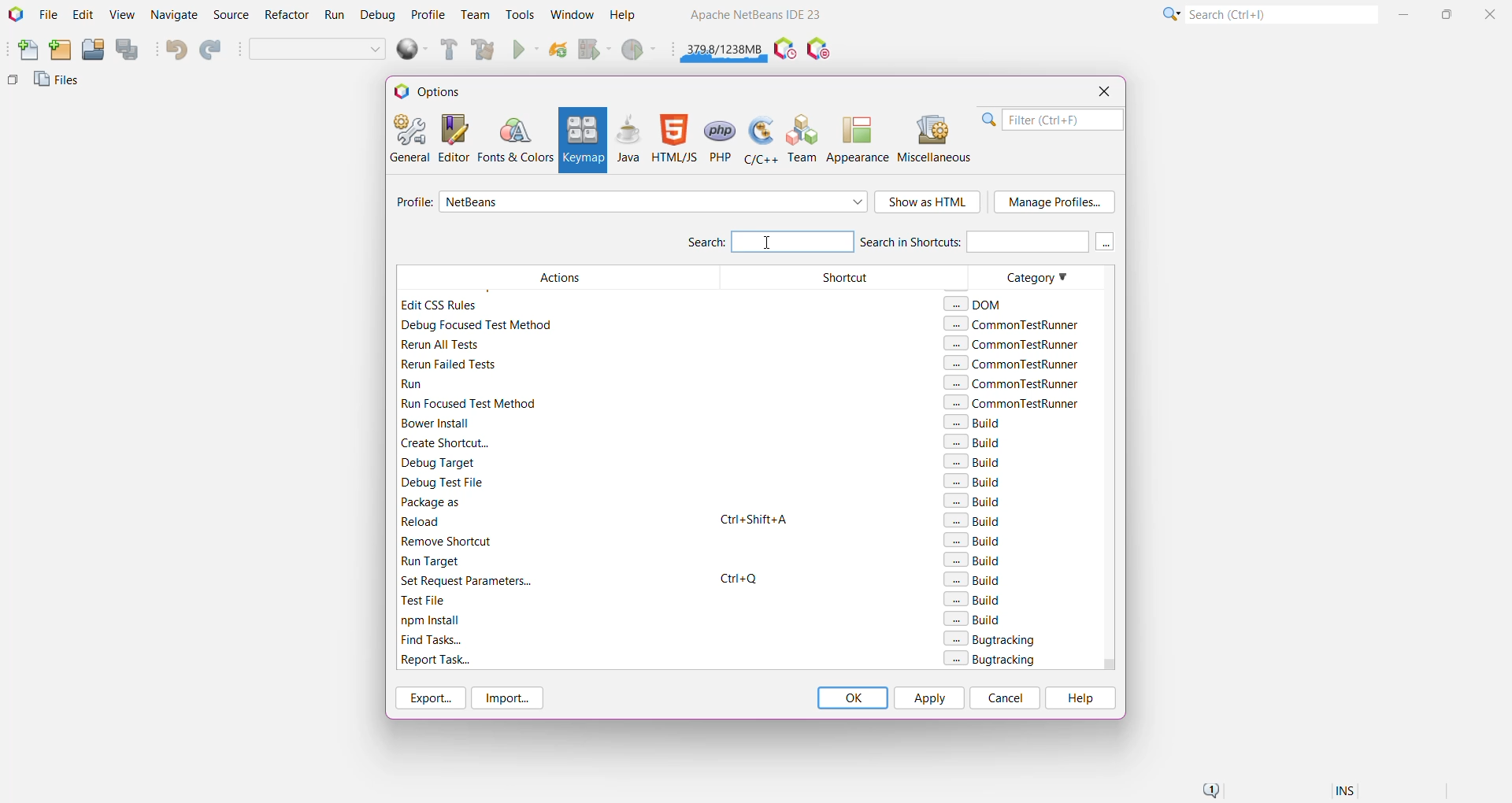  What do you see at coordinates (24, 51) in the screenshot?
I see `New File` at bounding box center [24, 51].